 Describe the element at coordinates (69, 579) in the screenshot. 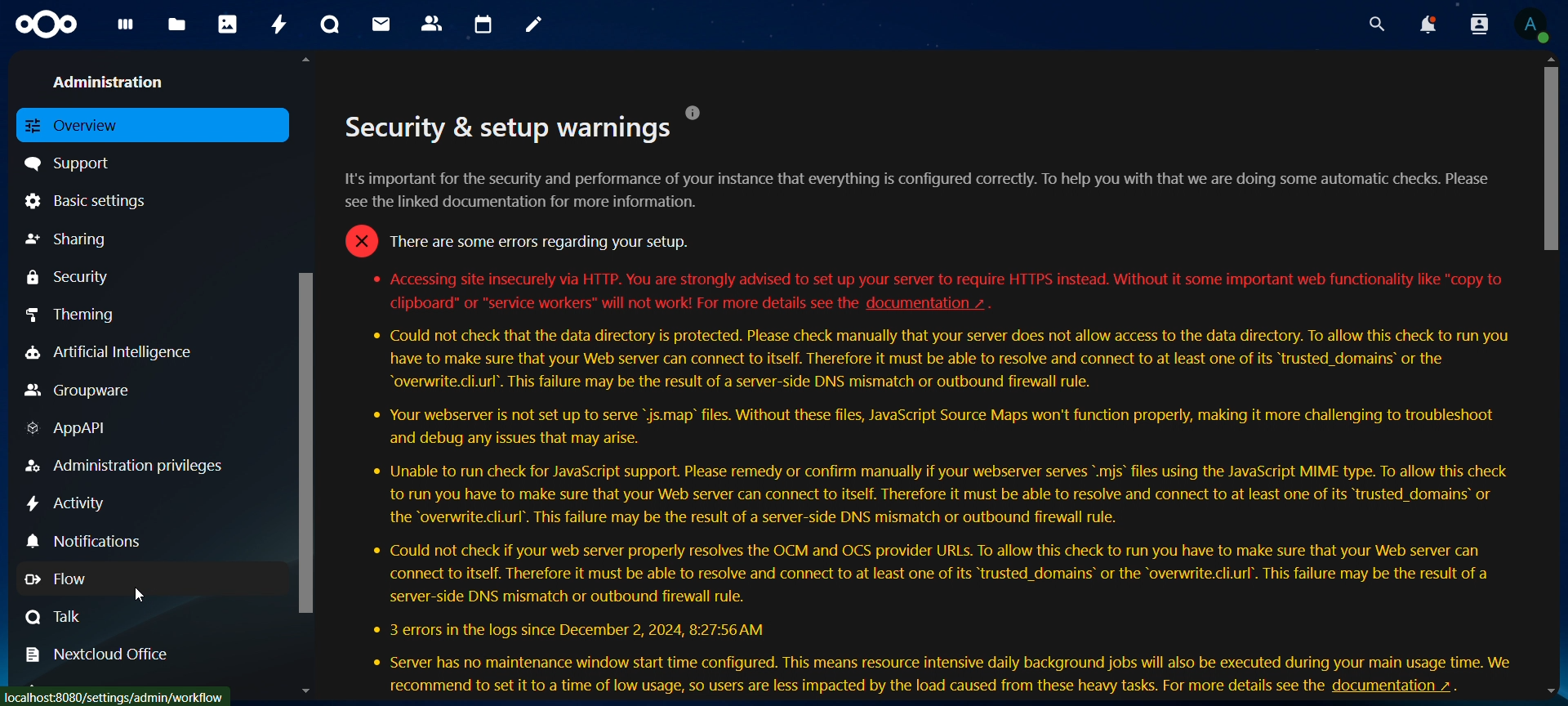

I see `flow` at that location.